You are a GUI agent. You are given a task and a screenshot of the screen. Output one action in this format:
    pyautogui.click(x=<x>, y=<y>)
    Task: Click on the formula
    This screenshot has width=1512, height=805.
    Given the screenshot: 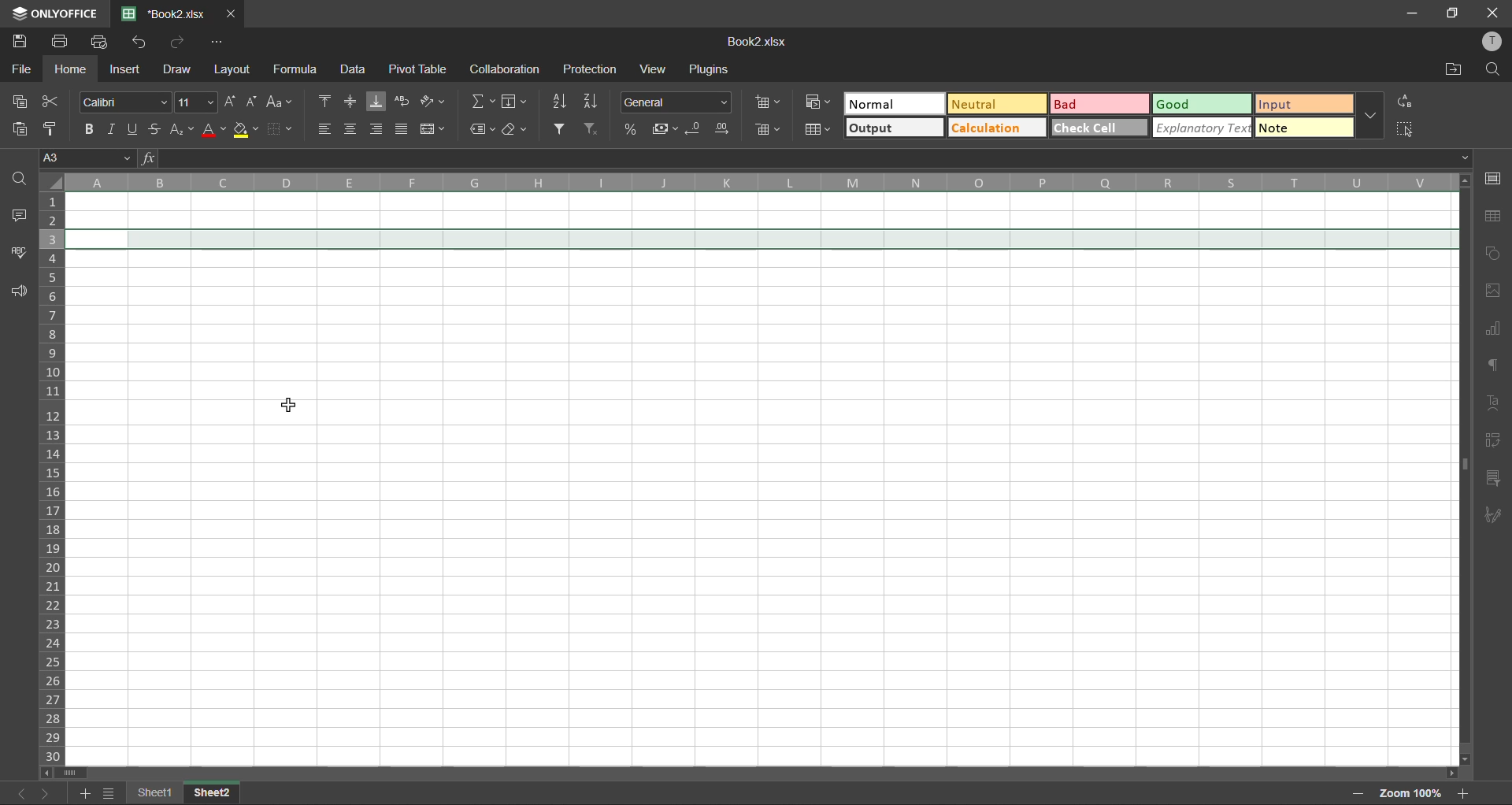 What is the action you would take?
    pyautogui.click(x=296, y=71)
    